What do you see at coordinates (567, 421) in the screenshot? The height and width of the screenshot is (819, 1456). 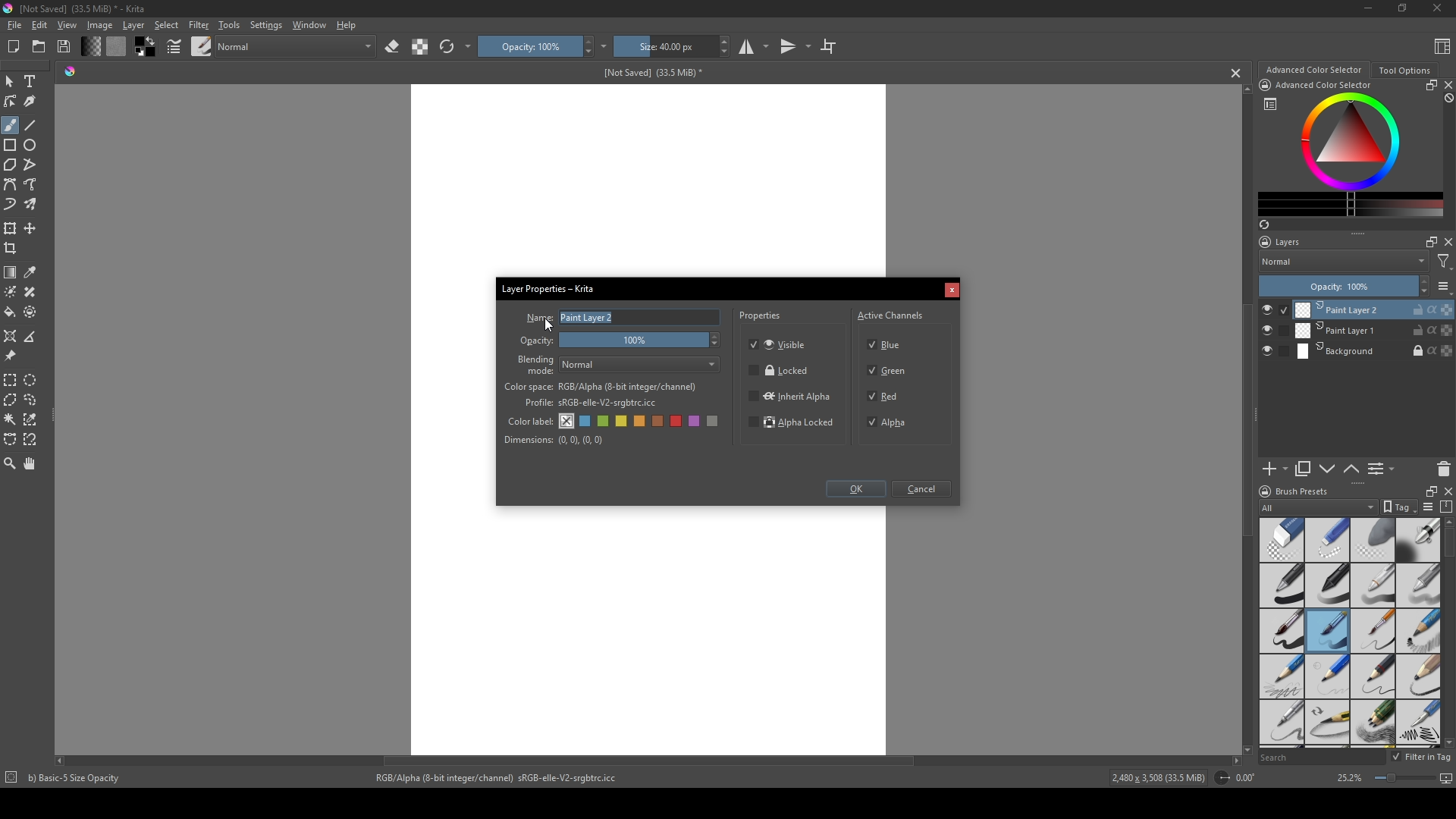 I see `no color` at bounding box center [567, 421].